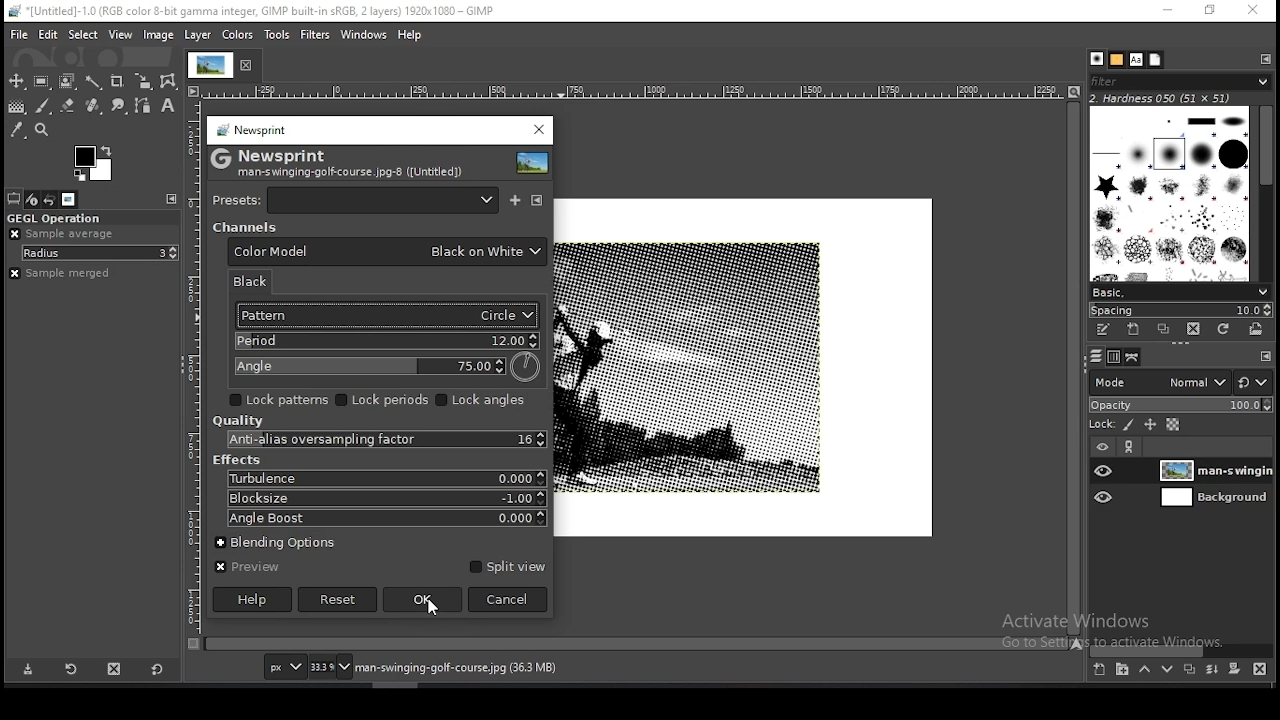 This screenshot has height=720, width=1280. I want to click on scale (horizontal), so click(635, 92).